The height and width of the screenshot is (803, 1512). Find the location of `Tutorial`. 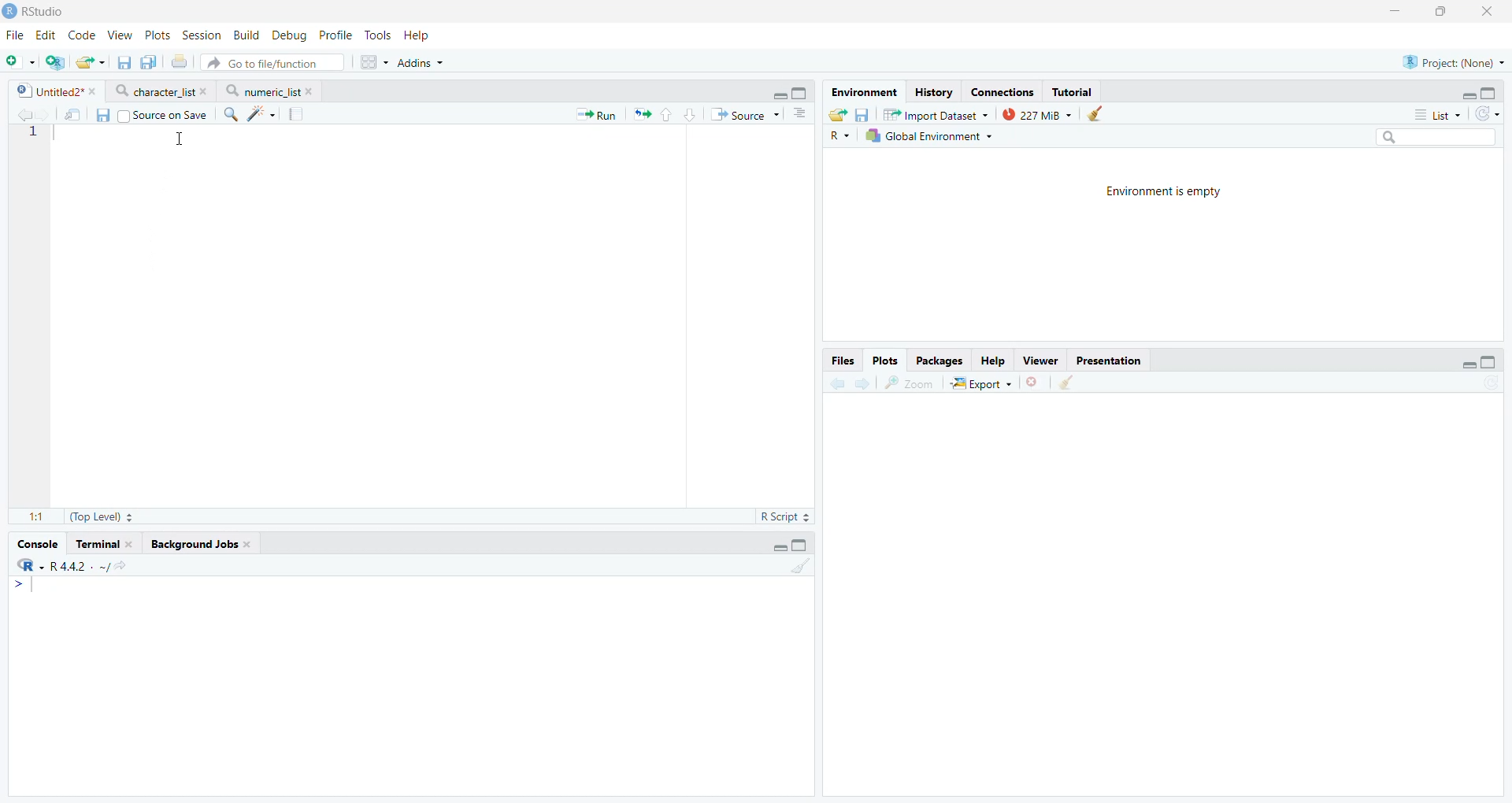

Tutorial is located at coordinates (1072, 91).